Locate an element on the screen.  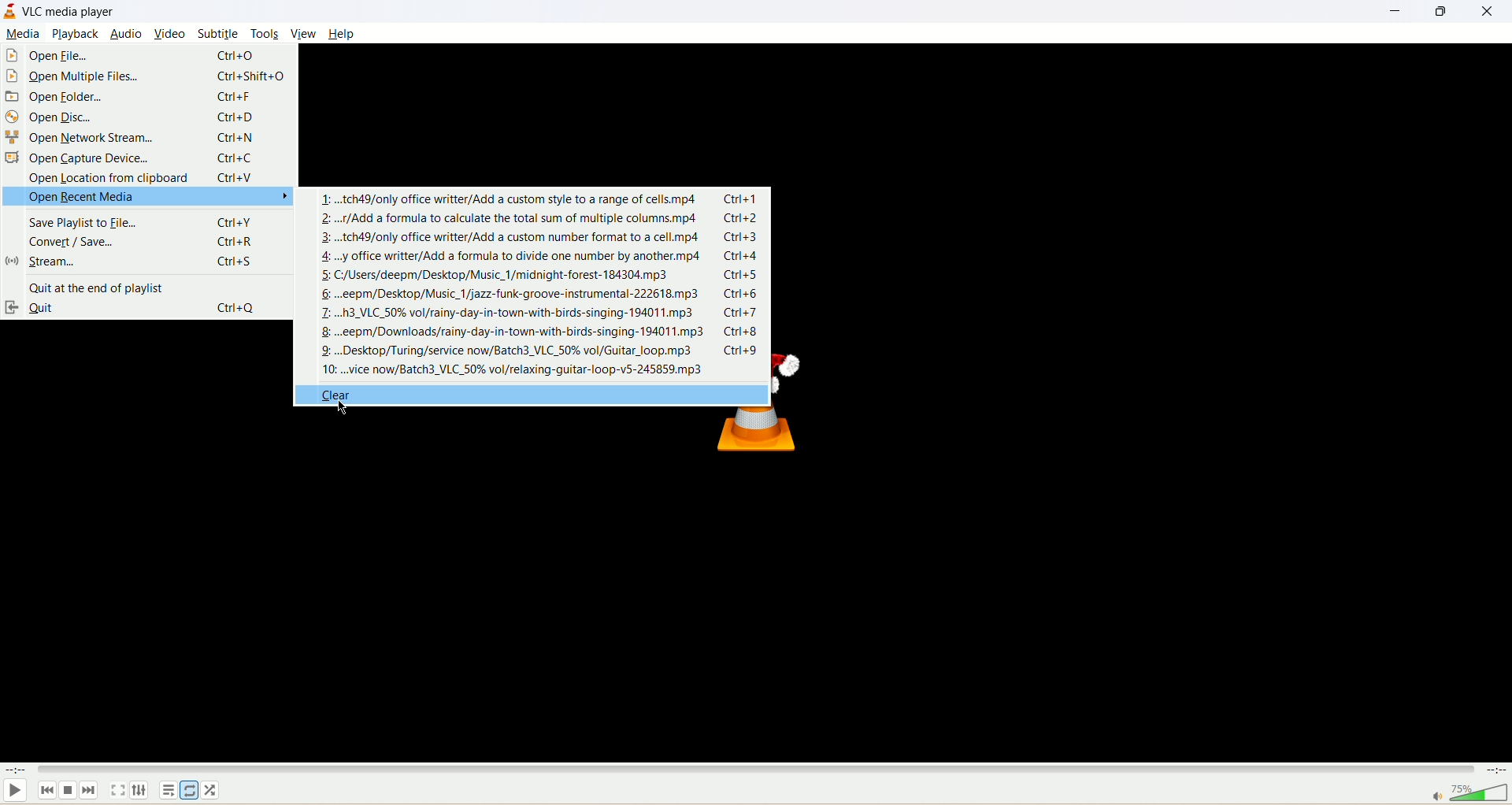
stop is located at coordinates (66, 792).